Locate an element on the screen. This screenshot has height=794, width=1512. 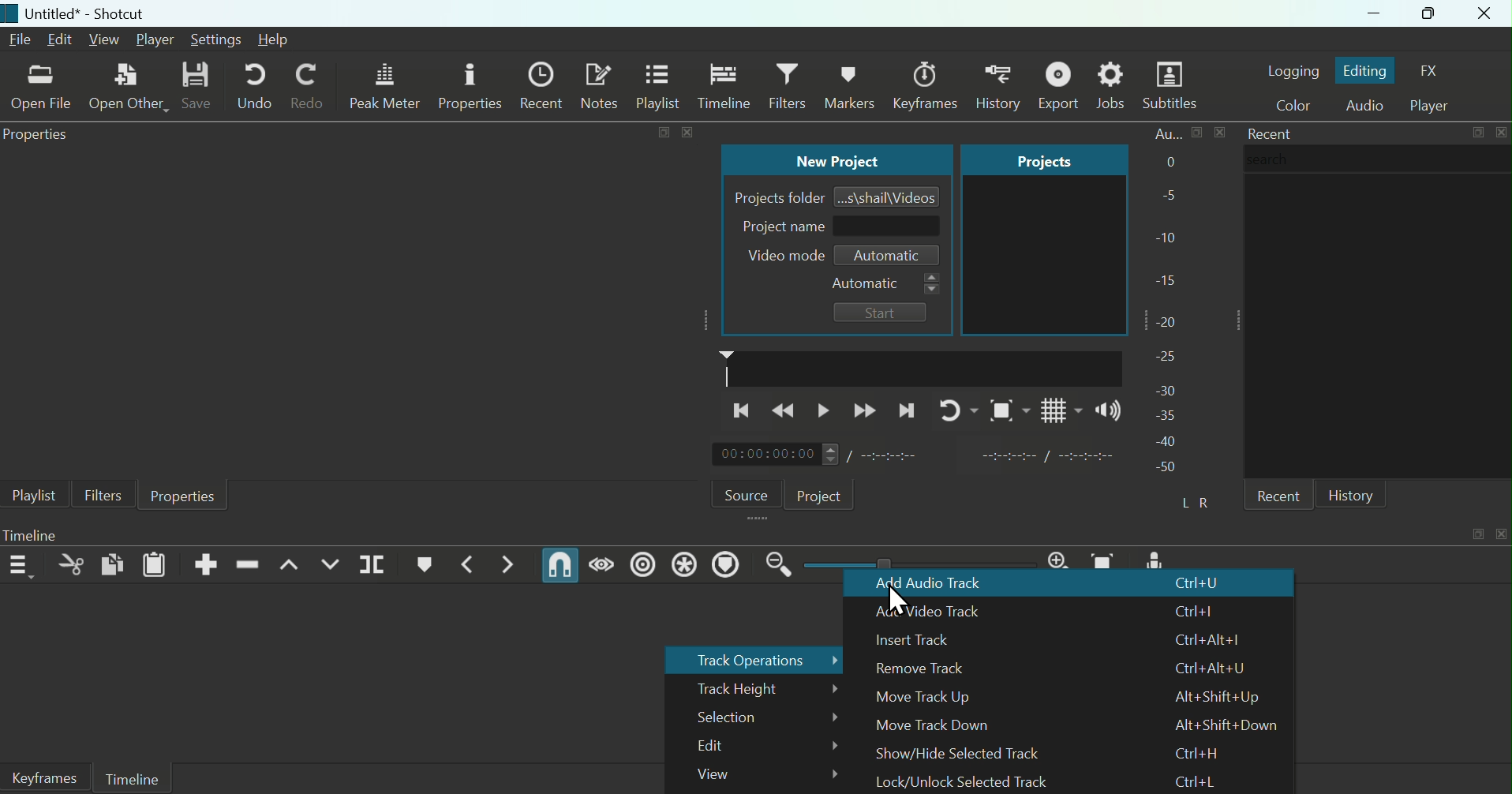
Projects is located at coordinates (1029, 159).